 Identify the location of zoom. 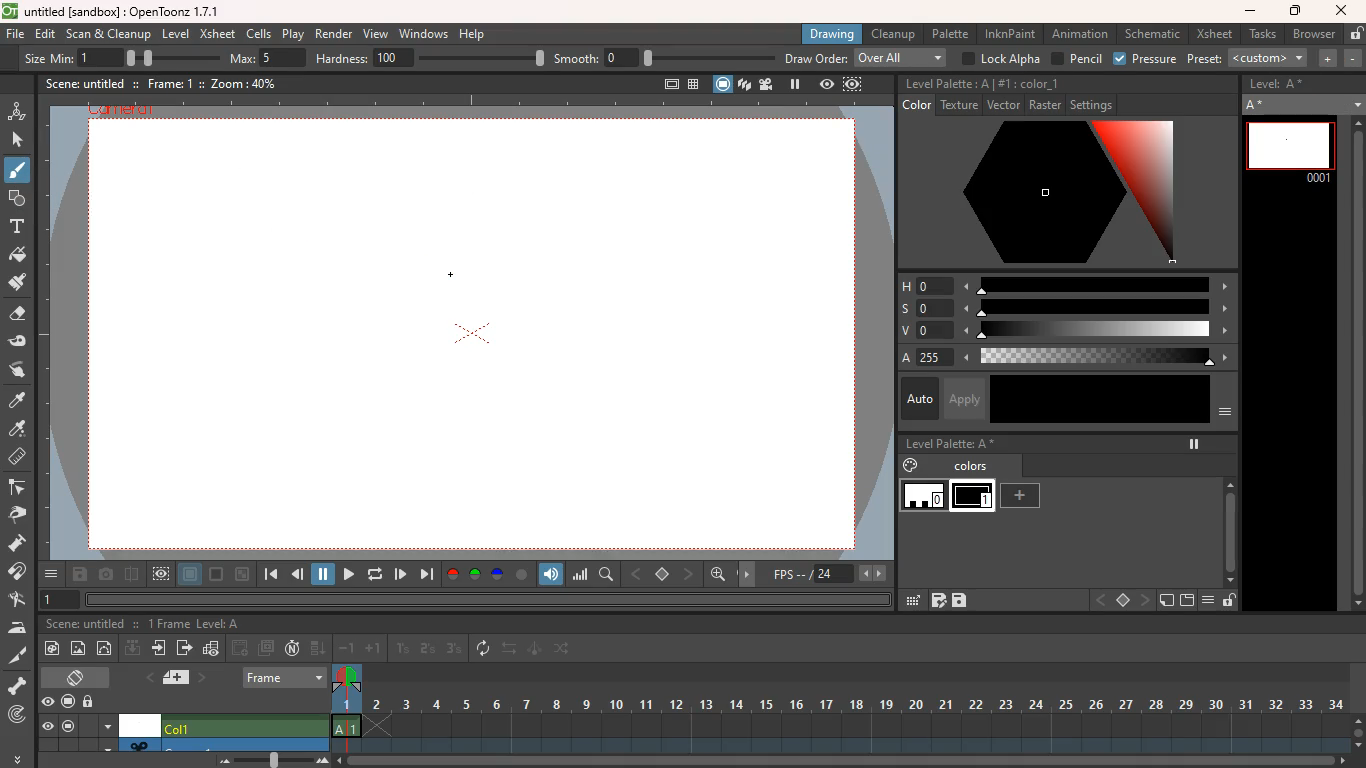
(1358, 730).